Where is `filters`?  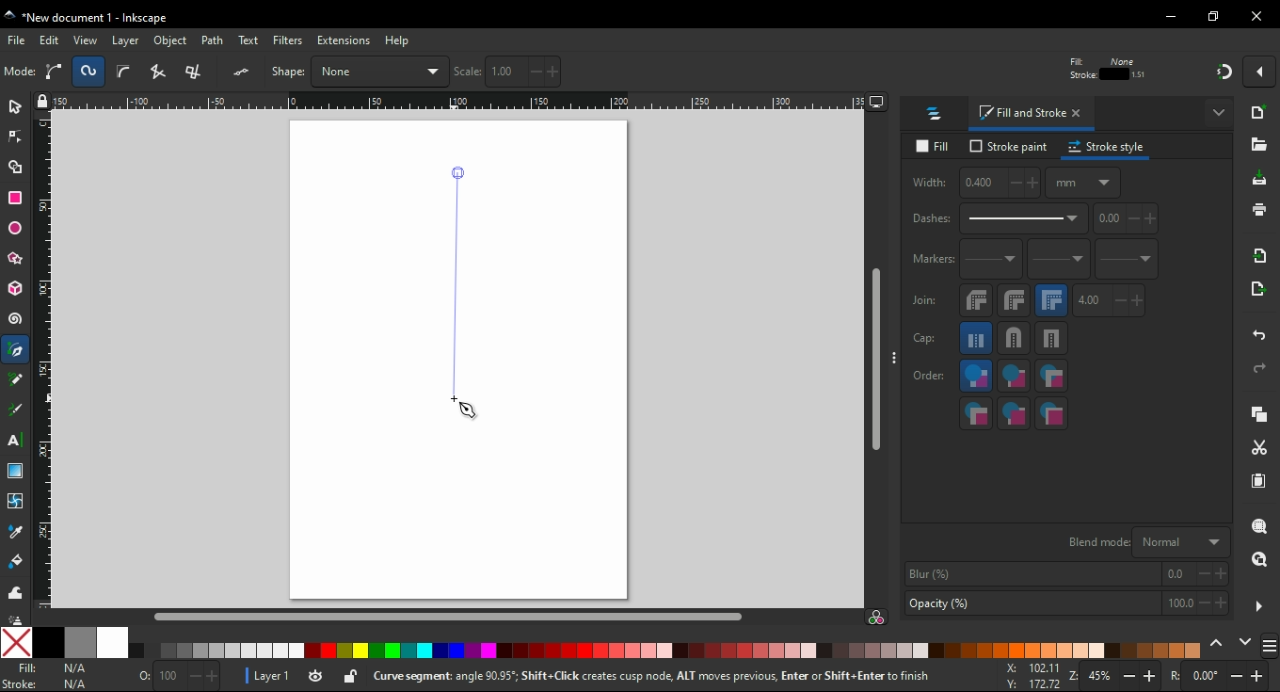 filters is located at coordinates (289, 42).